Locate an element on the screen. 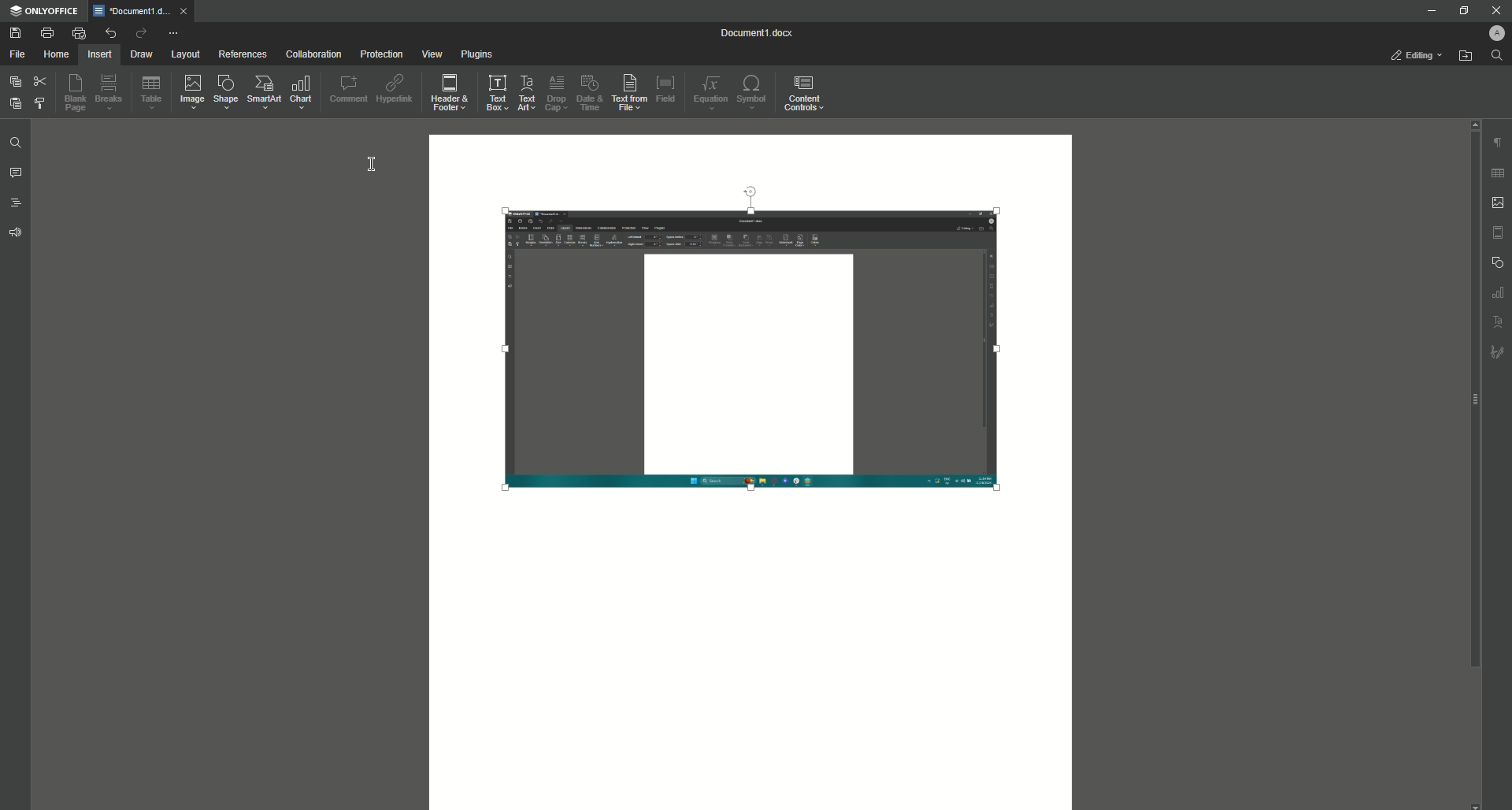 This screenshot has width=1512, height=810. Copy is located at coordinates (17, 80).